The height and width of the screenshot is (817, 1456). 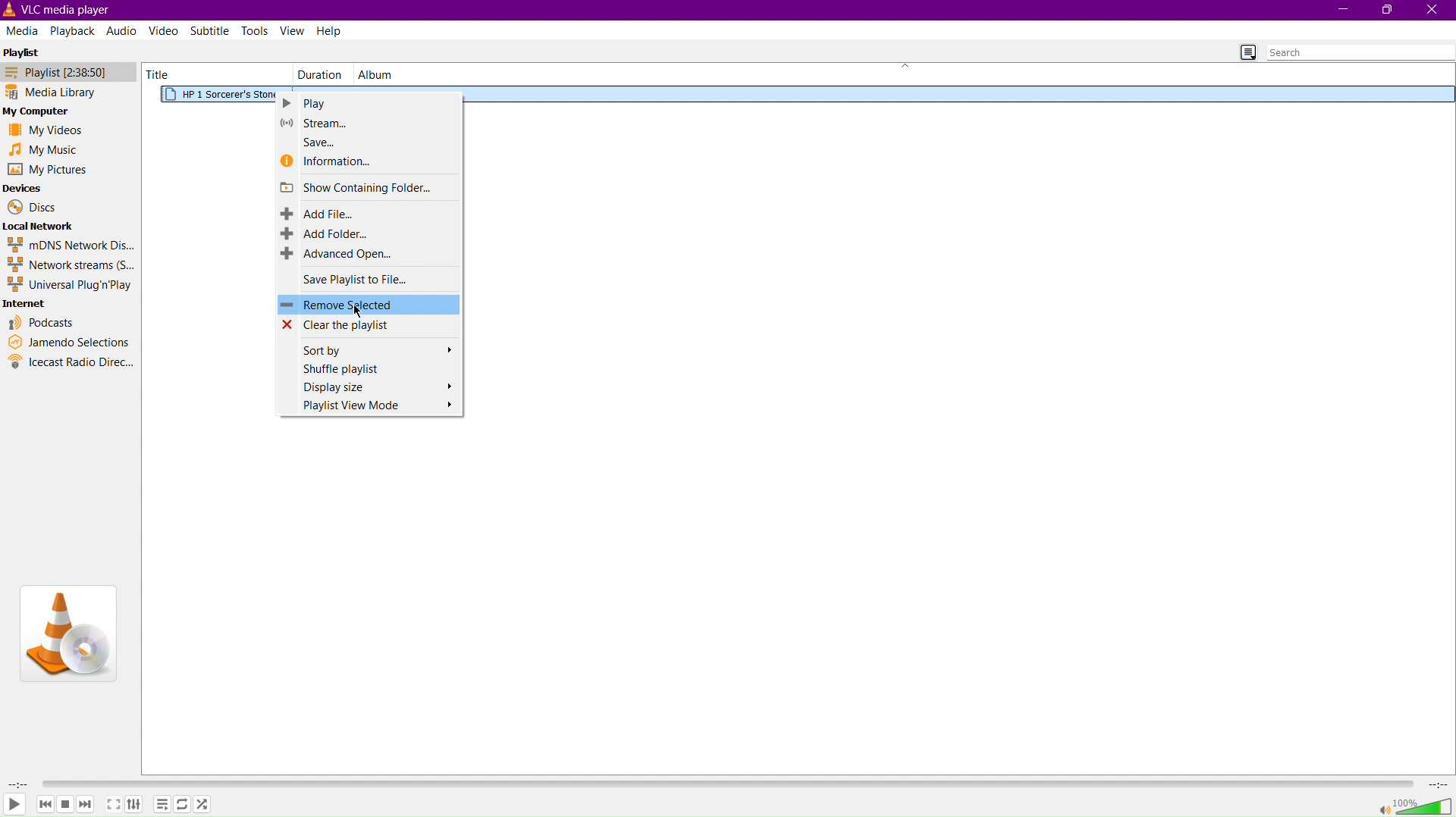 What do you see at coordinates (369, 255) in the screenshot?
I see `Advanced Open...` at bounding box center [369, 255].